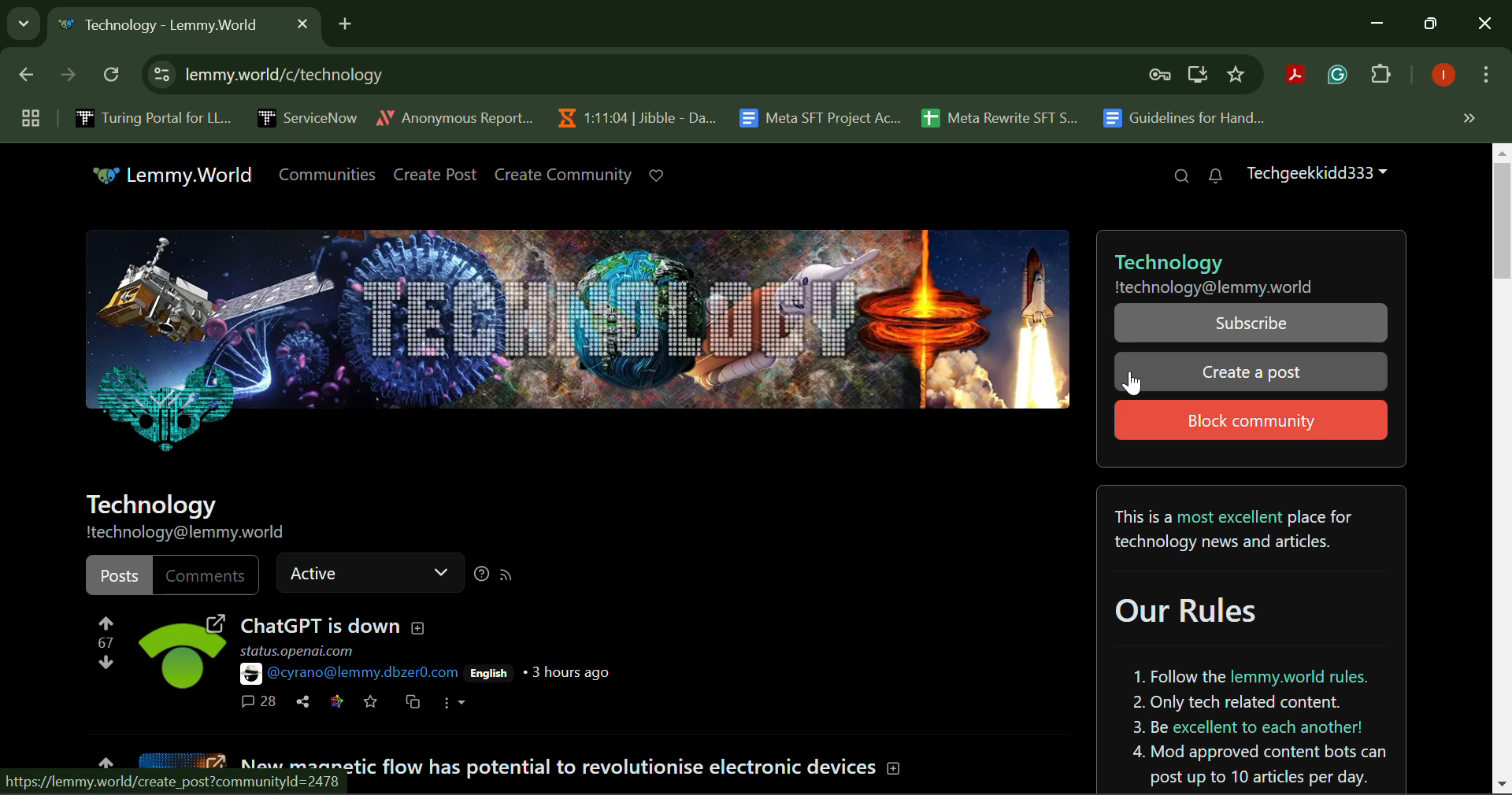 This screenshot has height=795, width=1512. I want to click on Next Page , so click(66, 79).